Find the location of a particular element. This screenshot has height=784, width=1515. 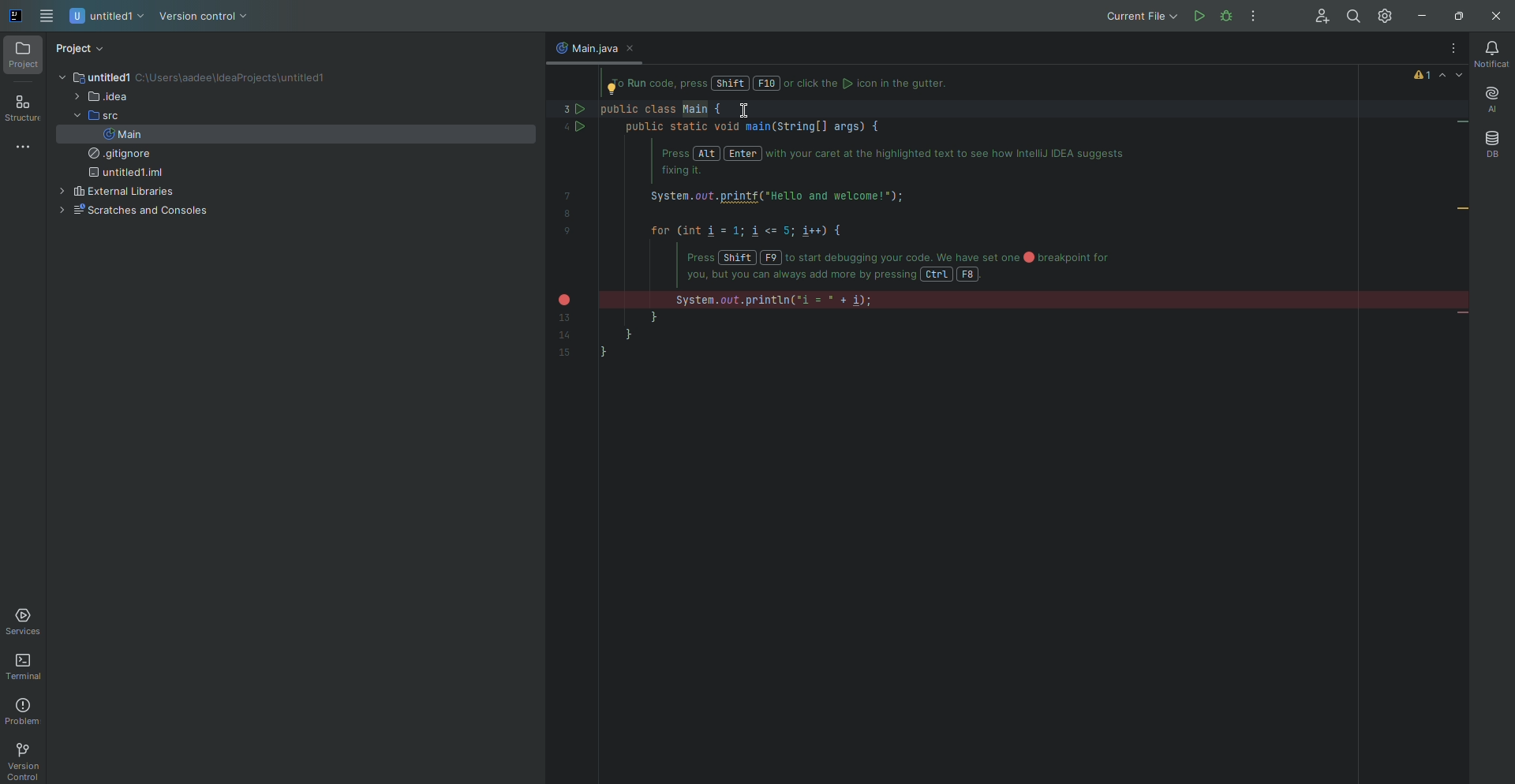

.idea is located at coordinates (100, 98).